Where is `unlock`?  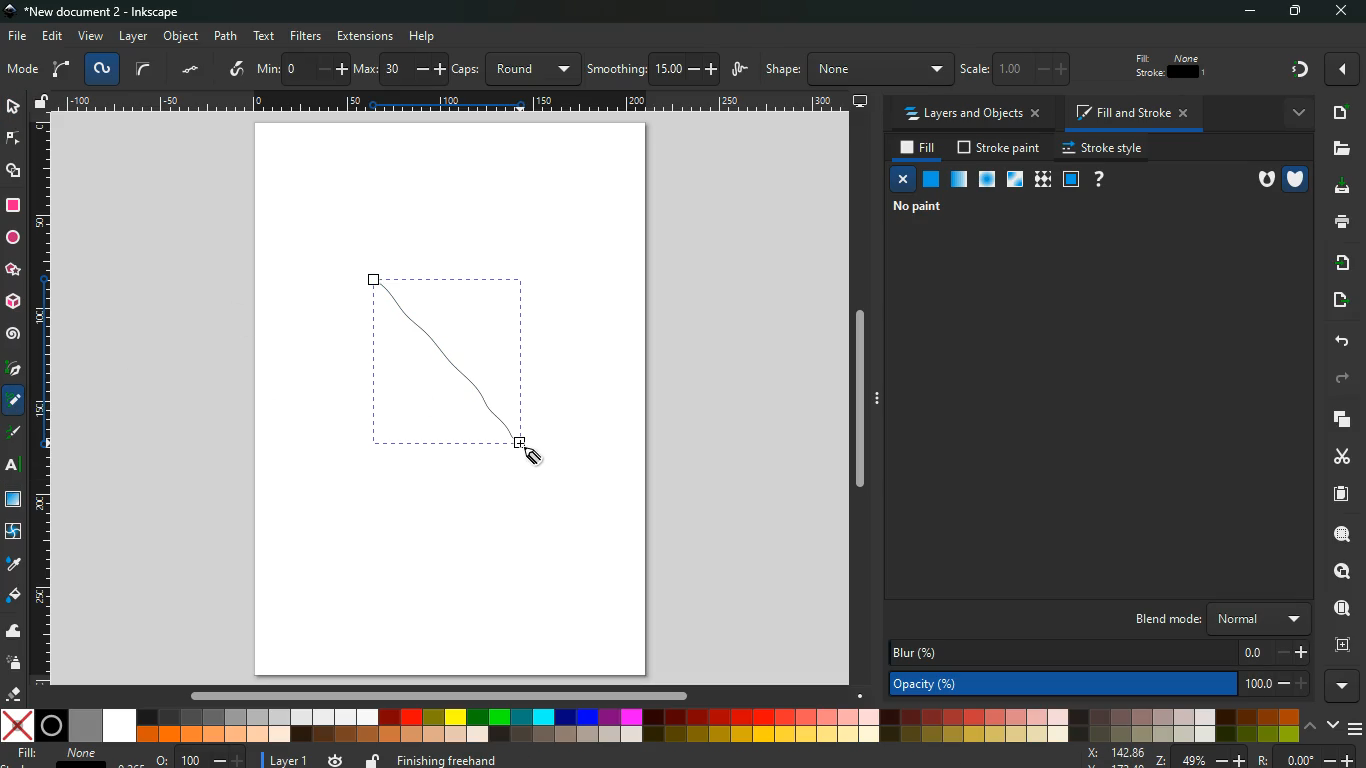
unlock is located at coordinates (371, 759).